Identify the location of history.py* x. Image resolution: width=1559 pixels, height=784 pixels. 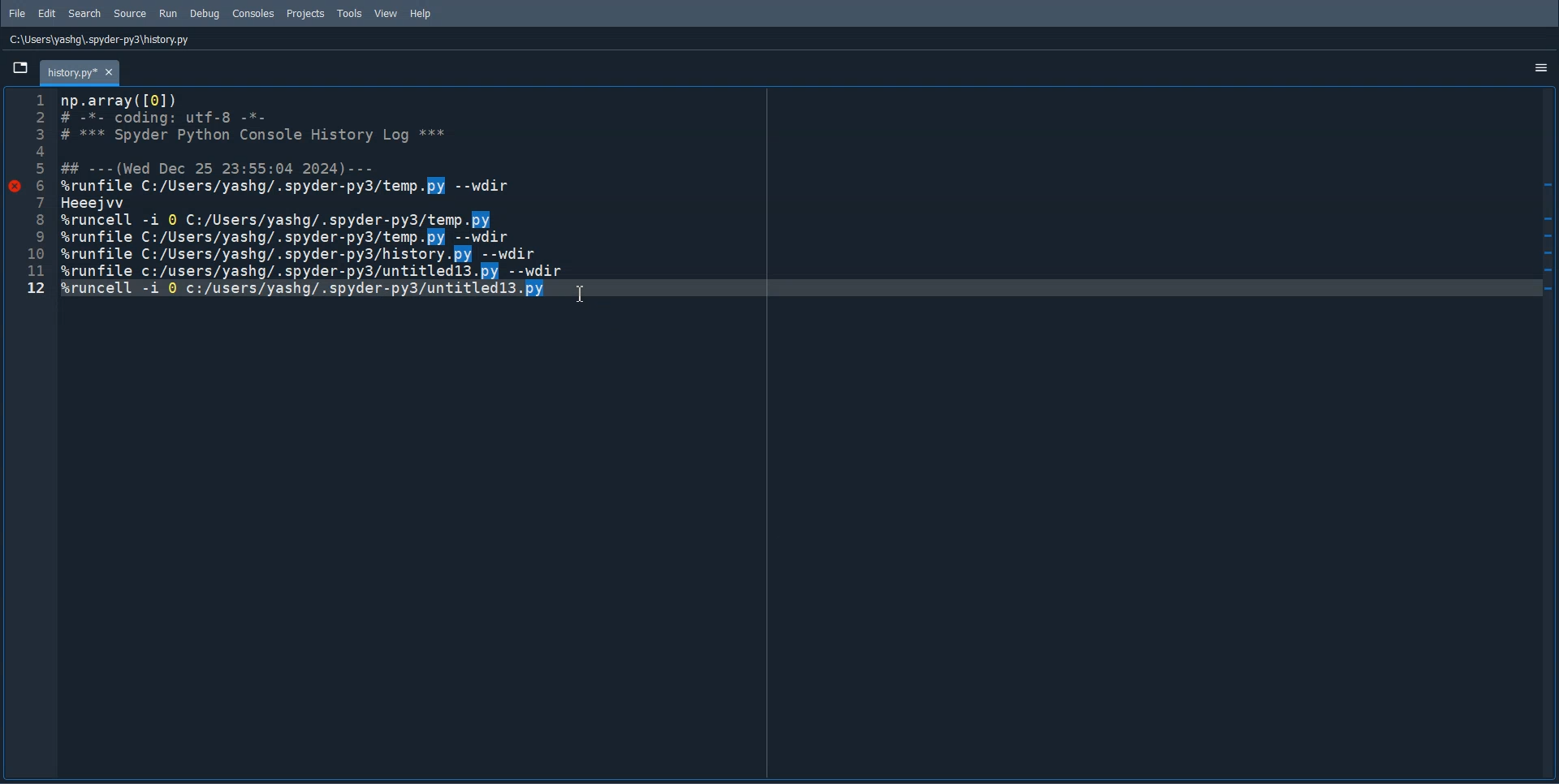
(80, 72).